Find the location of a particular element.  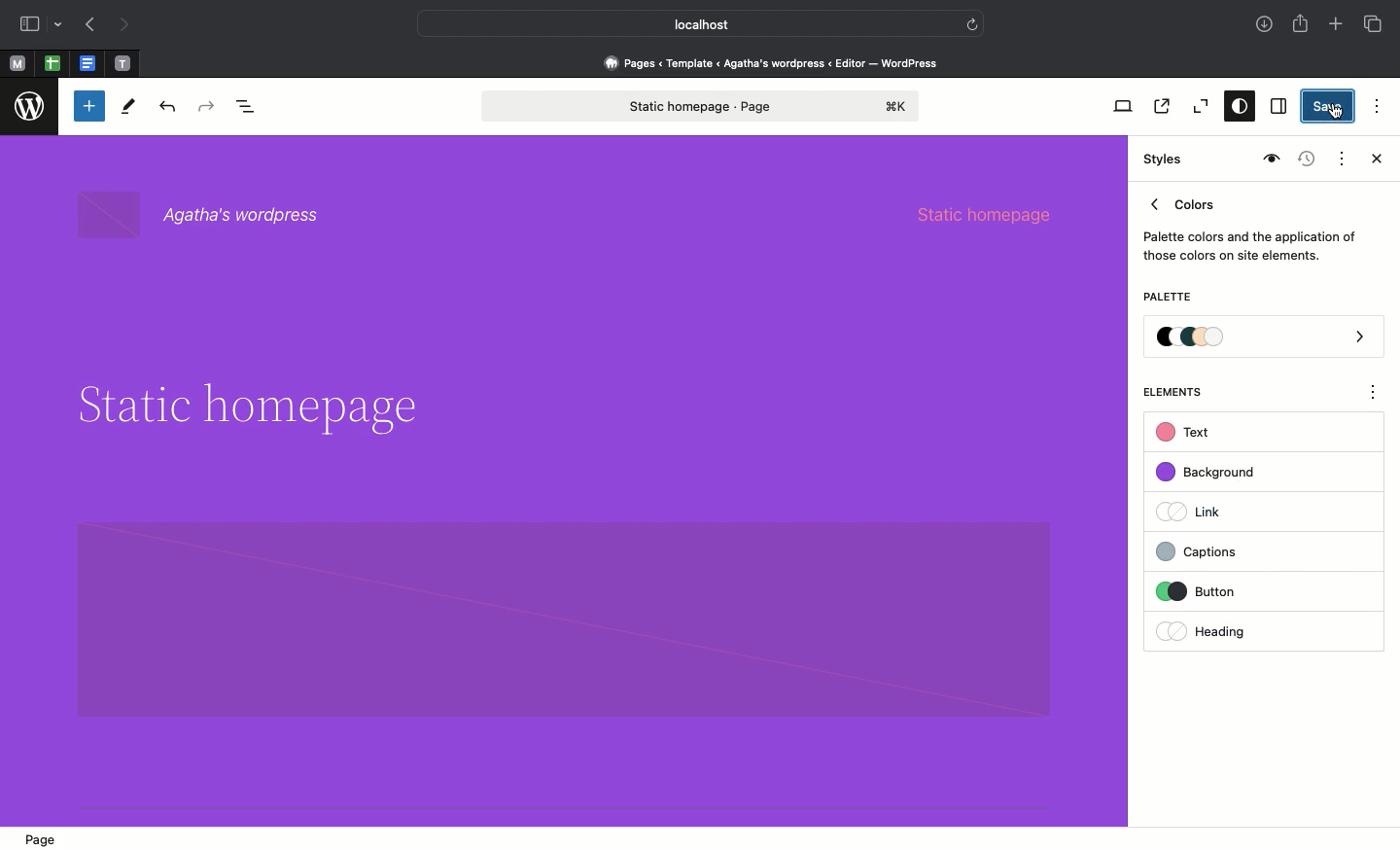

Link is located at coordinates (1197, 511).